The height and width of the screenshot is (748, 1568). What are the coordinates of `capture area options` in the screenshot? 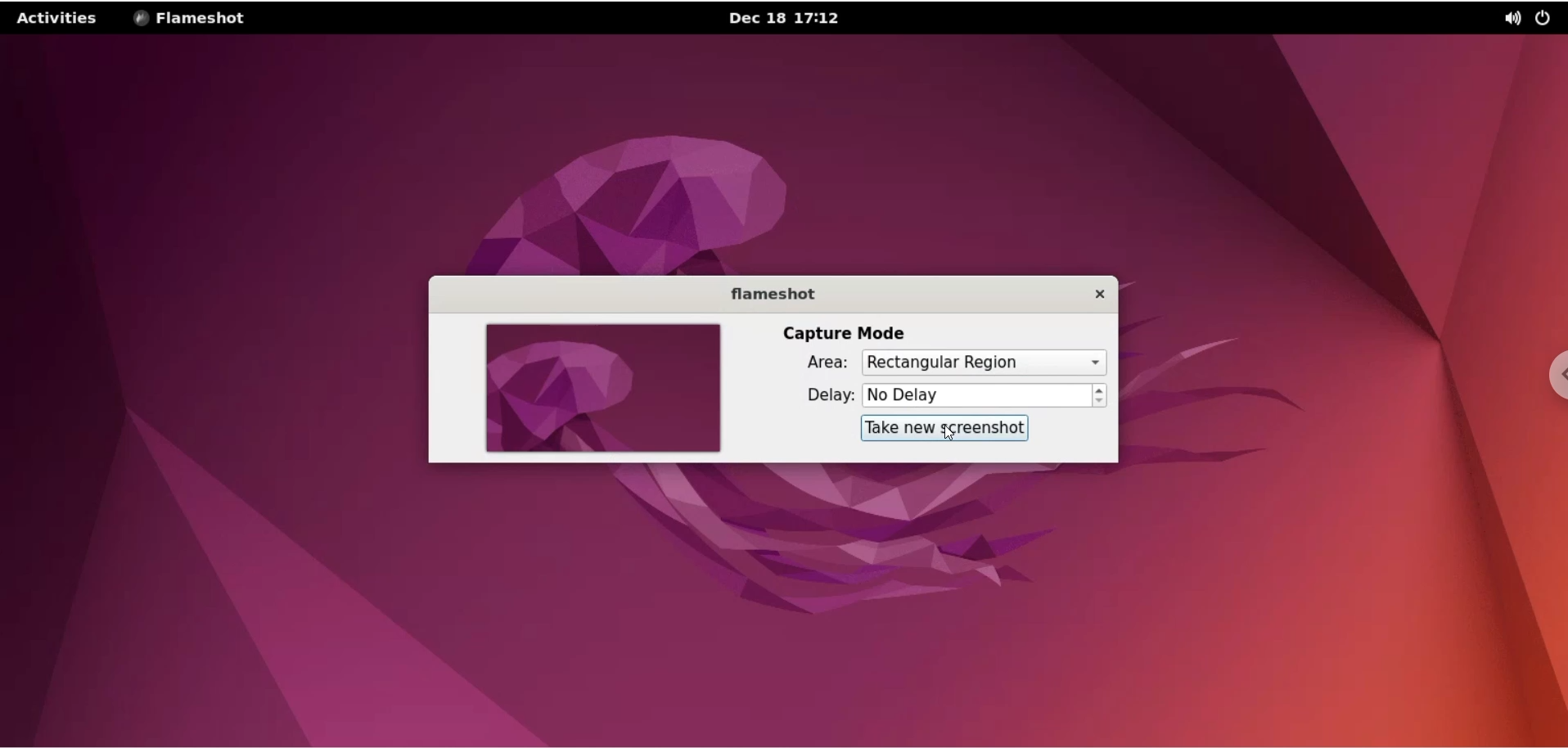 It's located at (986, 362).